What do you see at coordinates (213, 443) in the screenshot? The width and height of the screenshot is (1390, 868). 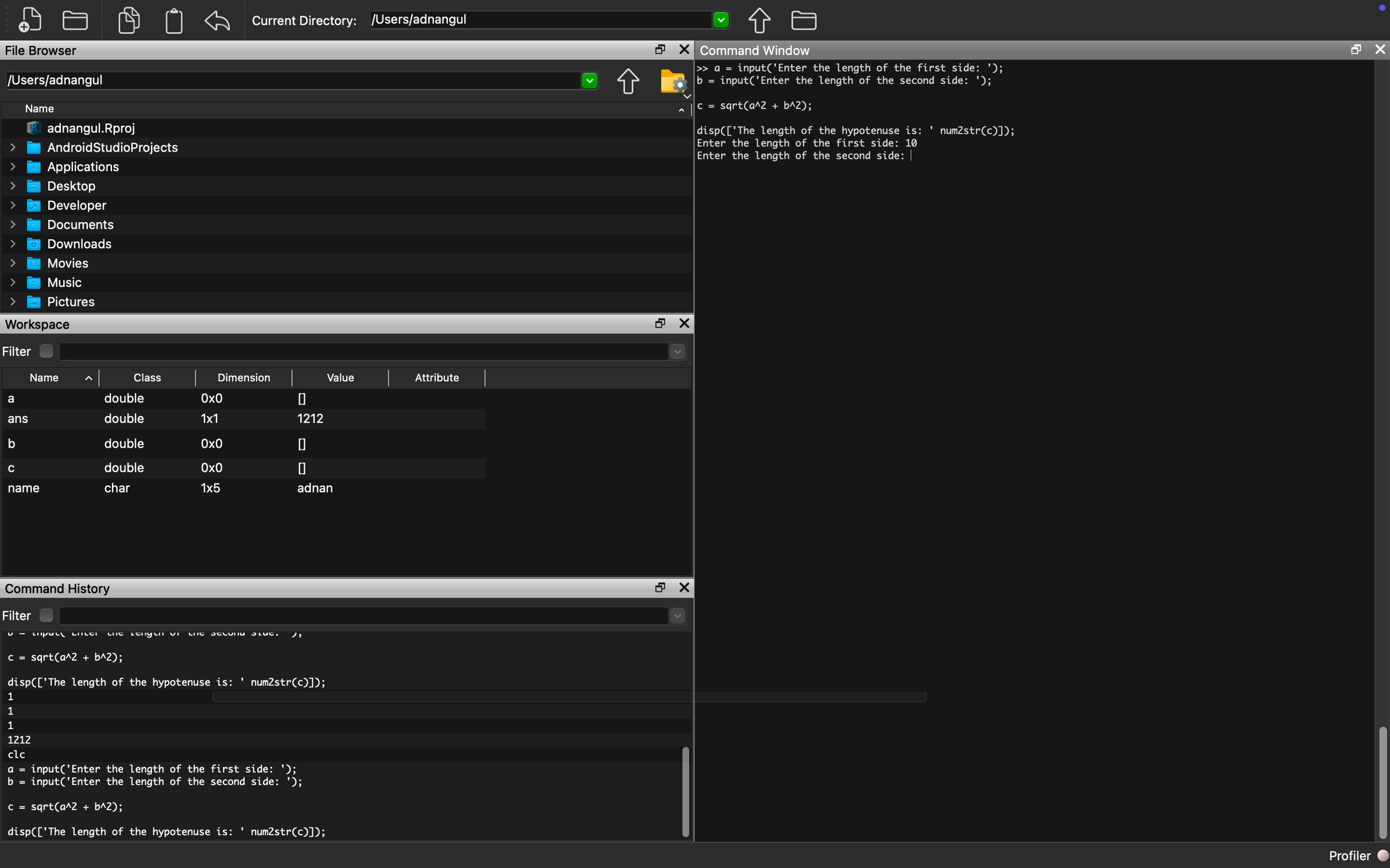 I see `0x0` at bounding box center [213, 443].